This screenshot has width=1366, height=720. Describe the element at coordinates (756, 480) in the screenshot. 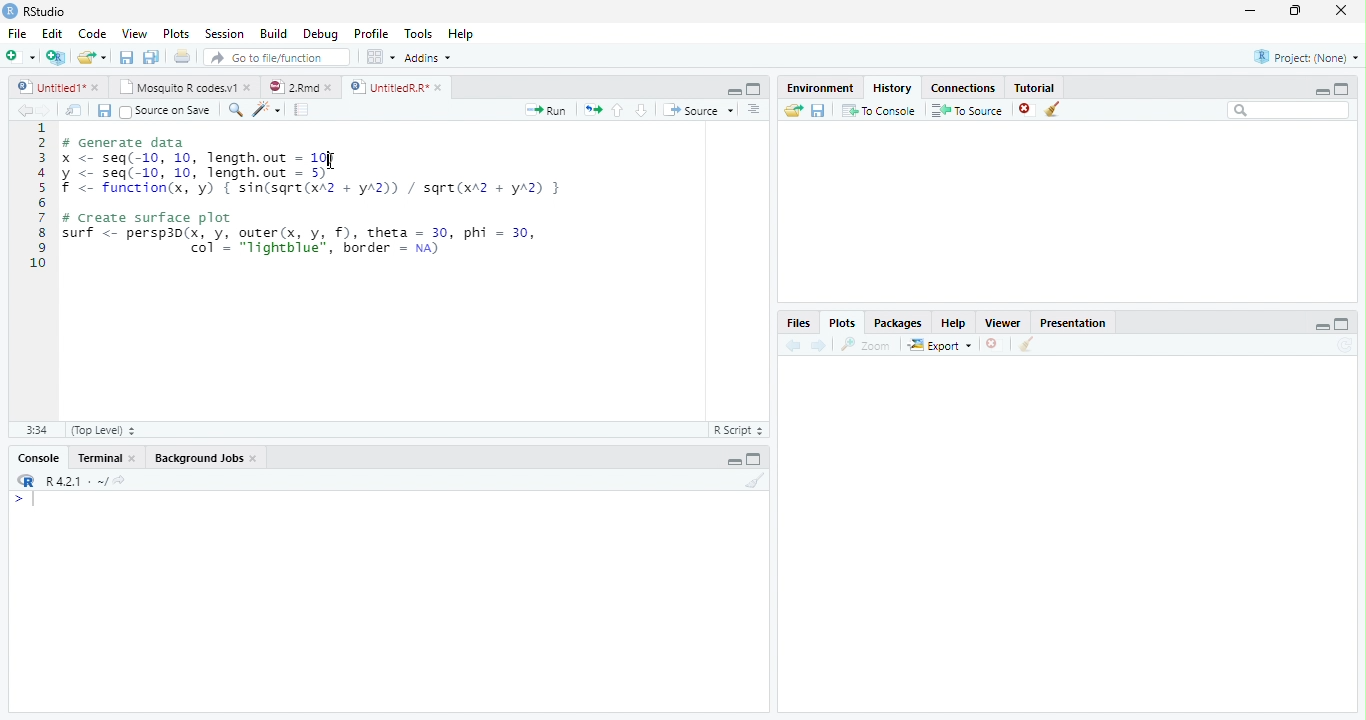

I see `Clear console` at that location.